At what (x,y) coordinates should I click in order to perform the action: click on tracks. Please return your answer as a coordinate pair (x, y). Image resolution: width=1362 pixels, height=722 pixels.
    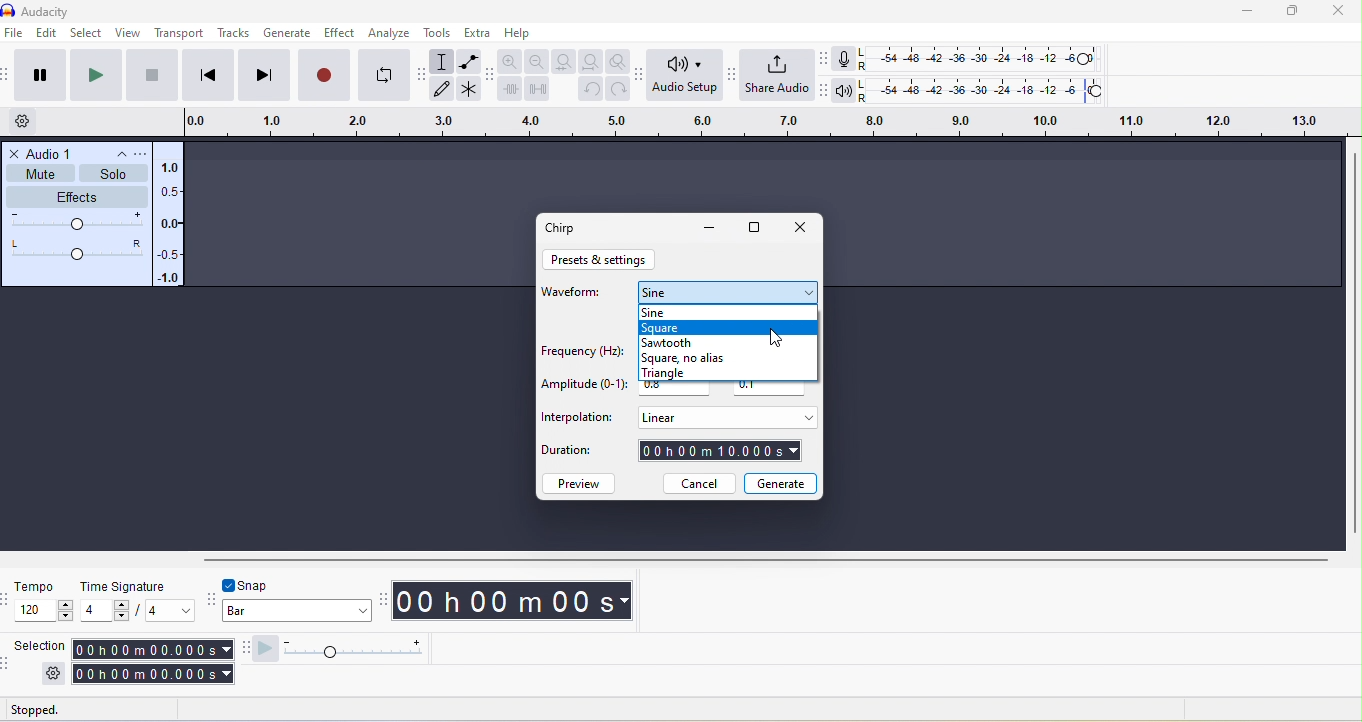
    Looking at the image, I should click on (233, 33).